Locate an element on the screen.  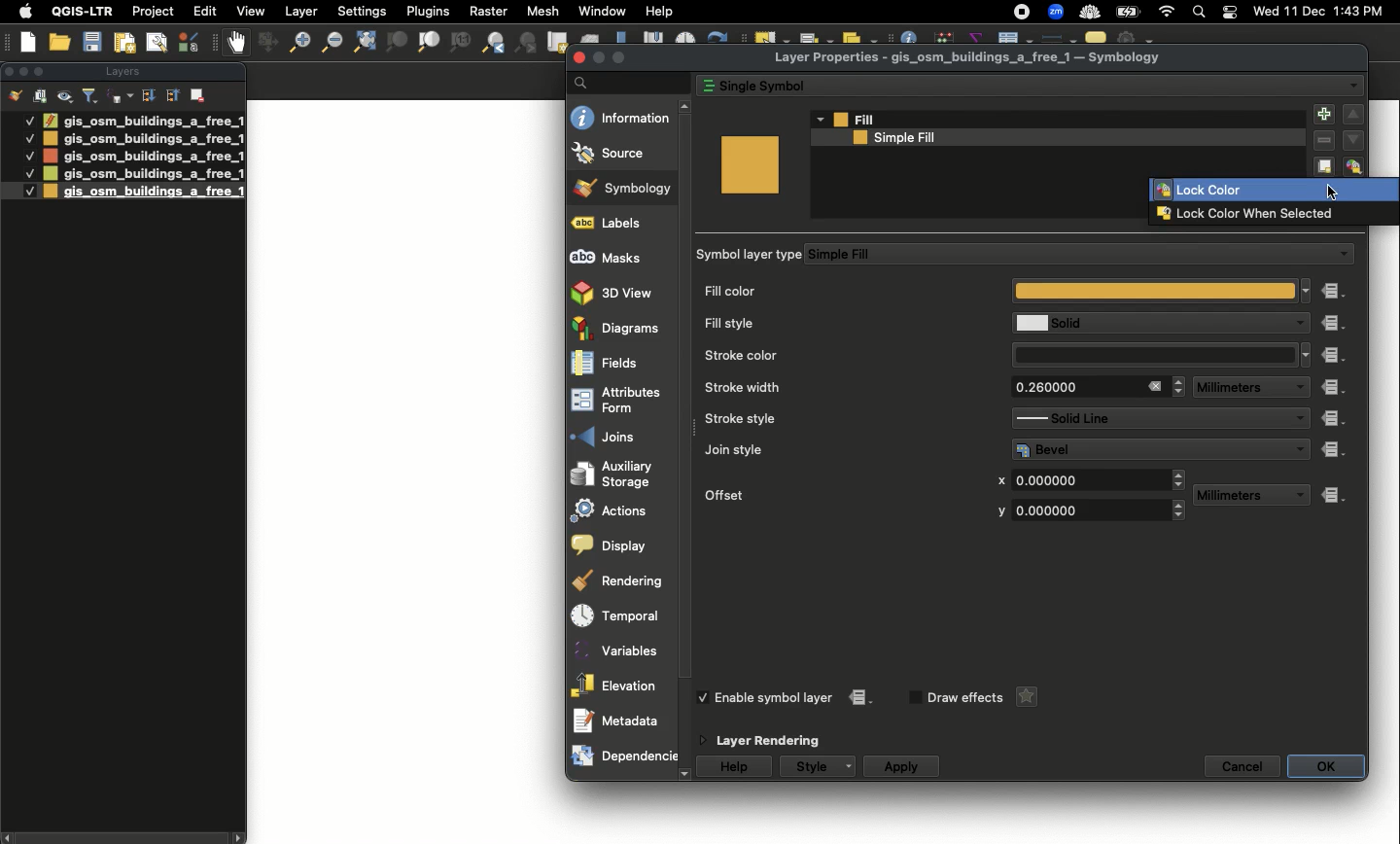
11 Dec is located at coordinates (1306, 14).